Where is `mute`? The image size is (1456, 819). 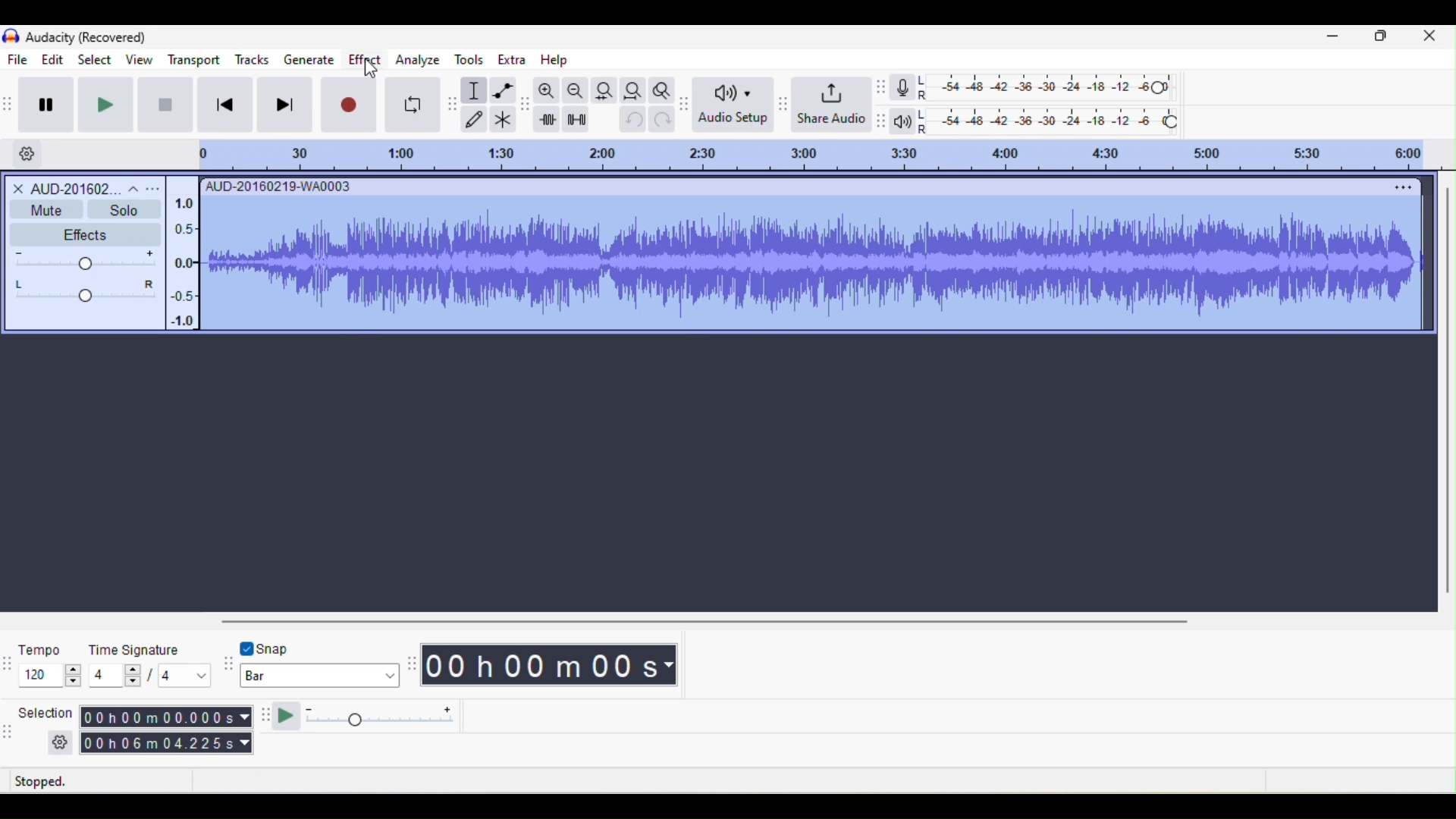
mute is located at coordinates (44, 209).